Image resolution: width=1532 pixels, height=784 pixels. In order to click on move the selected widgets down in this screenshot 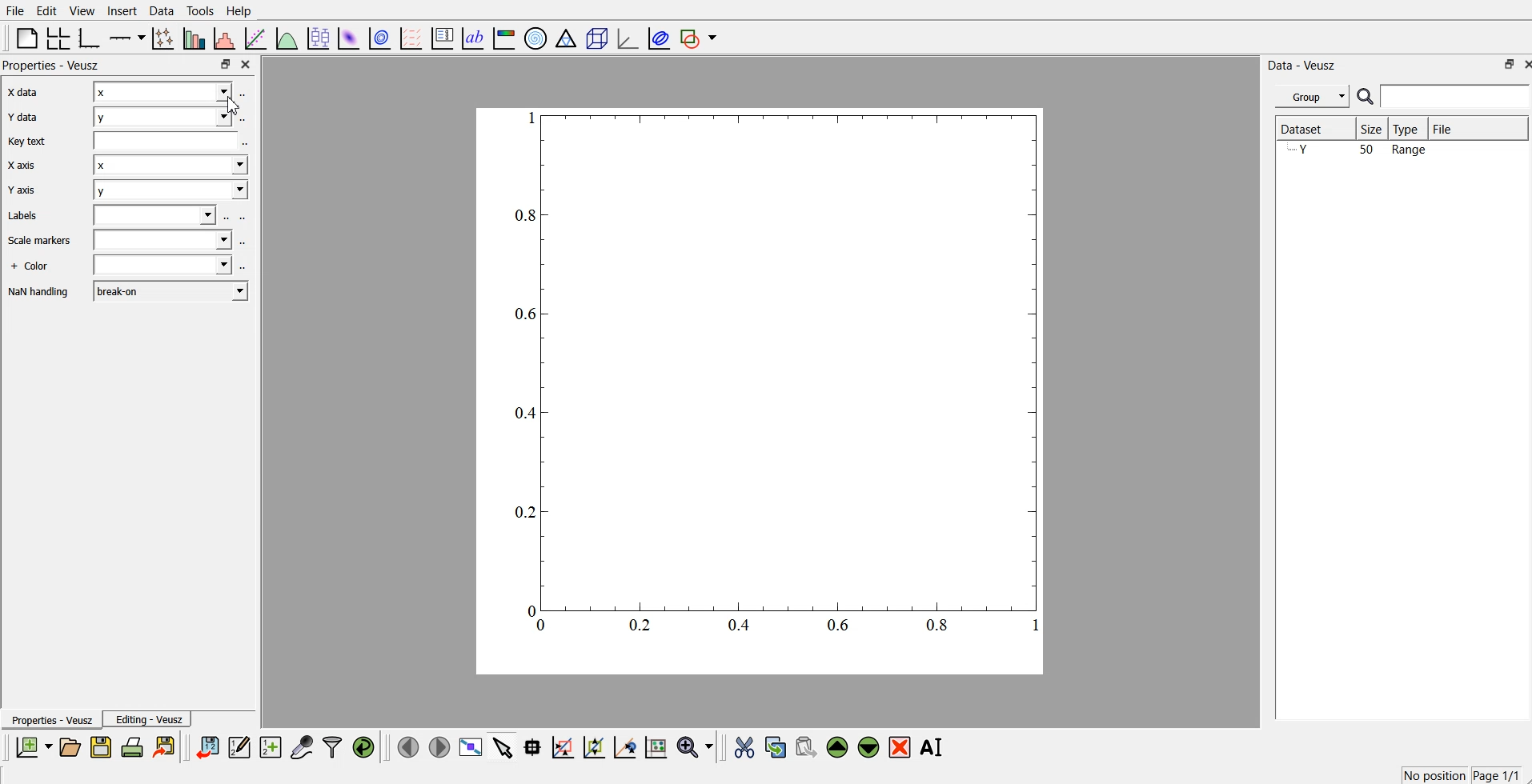, I will do `click(868, 747)`.